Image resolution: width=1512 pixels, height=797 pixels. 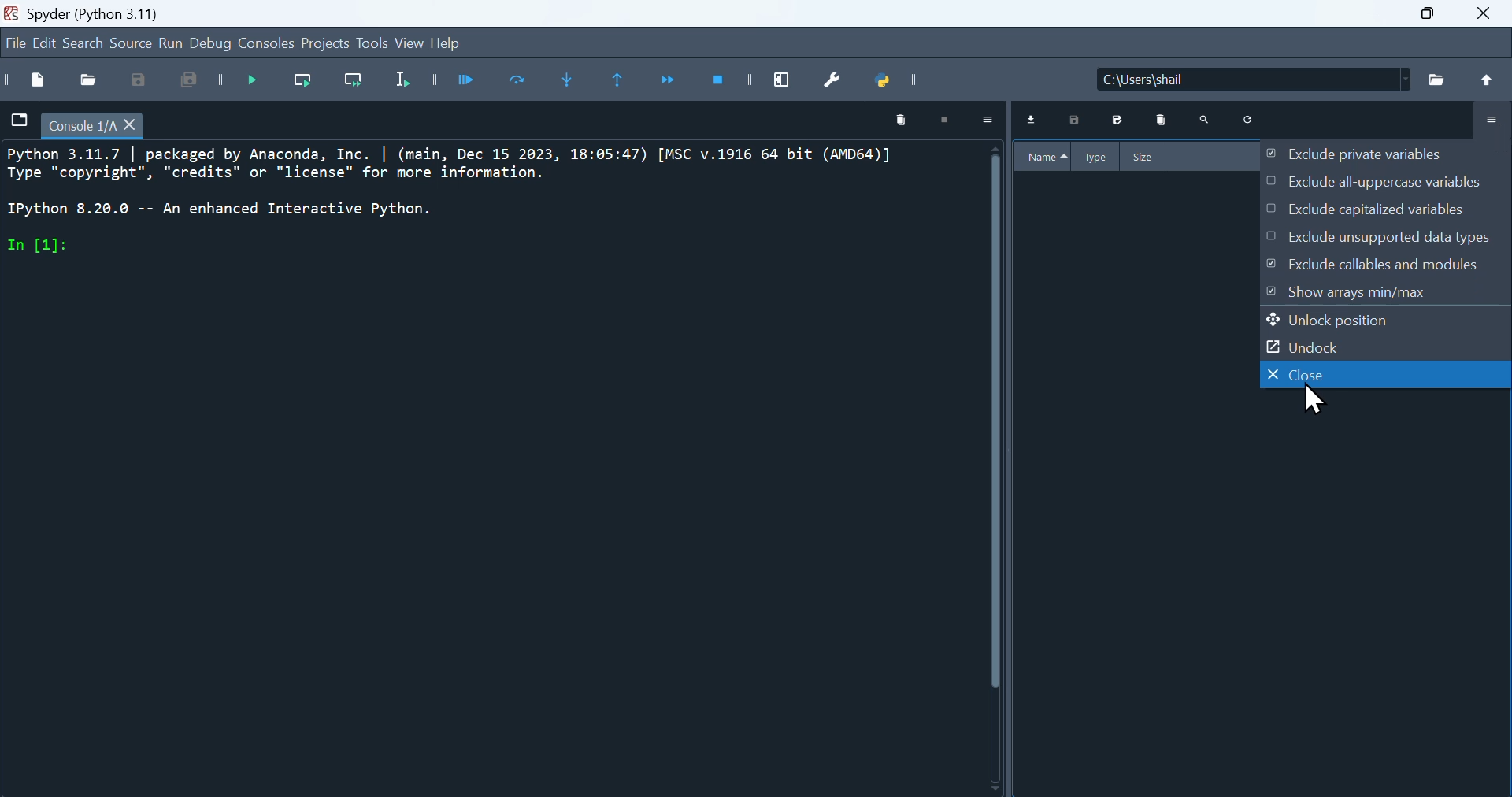 I want to click on Stop debugging, so click(x=728, y=83).